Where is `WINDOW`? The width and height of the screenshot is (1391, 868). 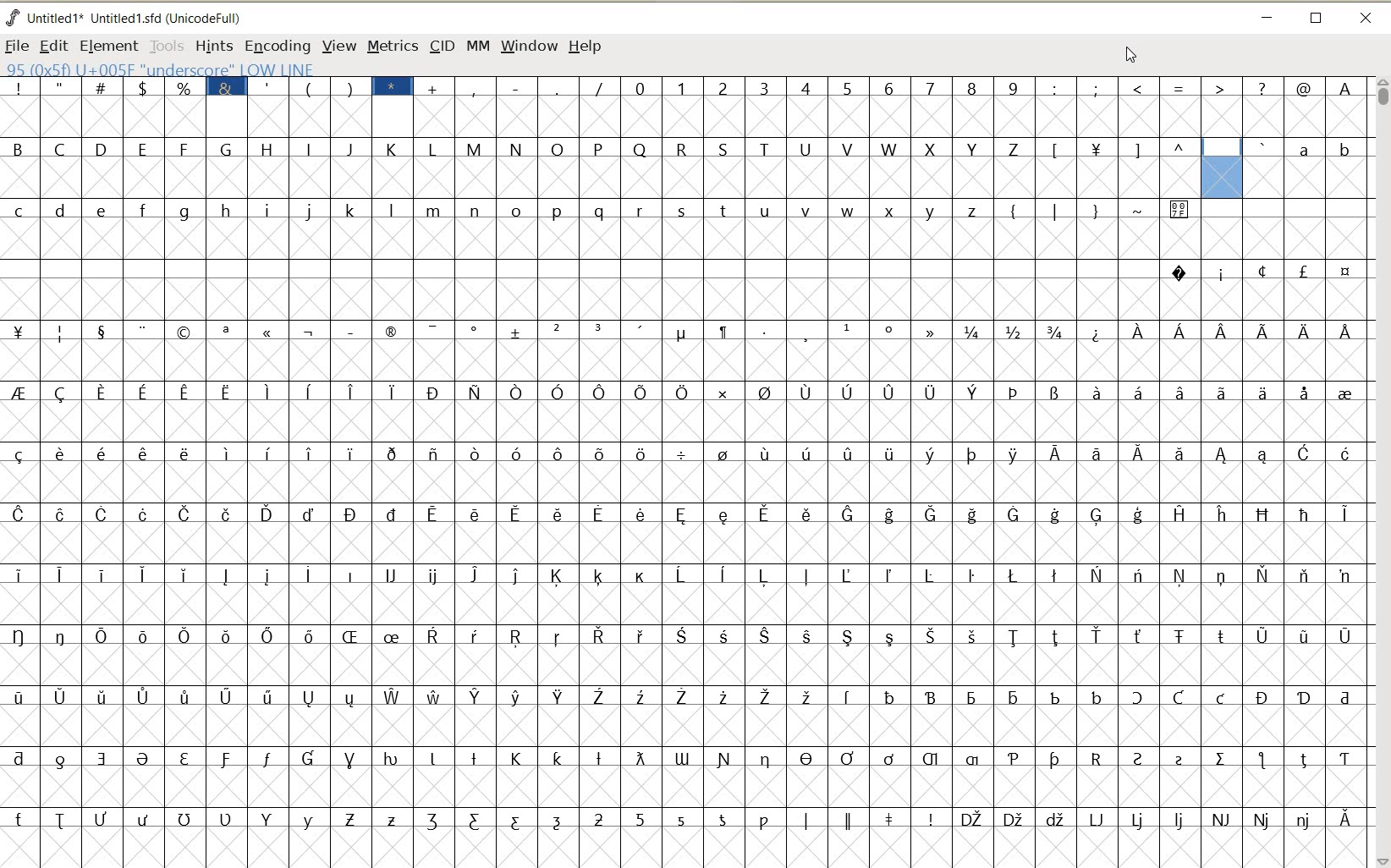
WINDOW is located at coordinates (530, 47).